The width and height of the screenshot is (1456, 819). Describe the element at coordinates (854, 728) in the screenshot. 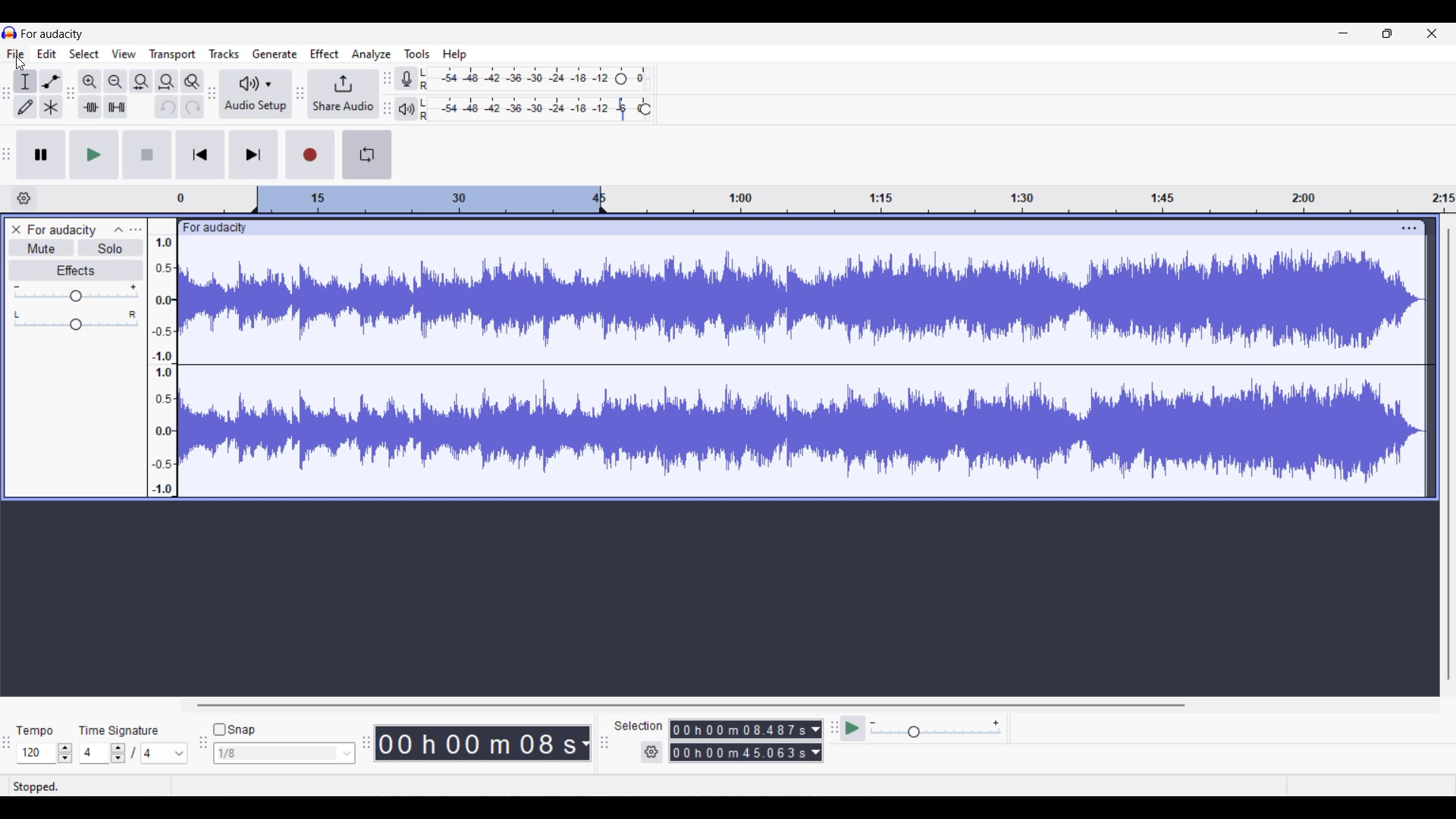

I see `Play at speed/Play at speed once` at that location.